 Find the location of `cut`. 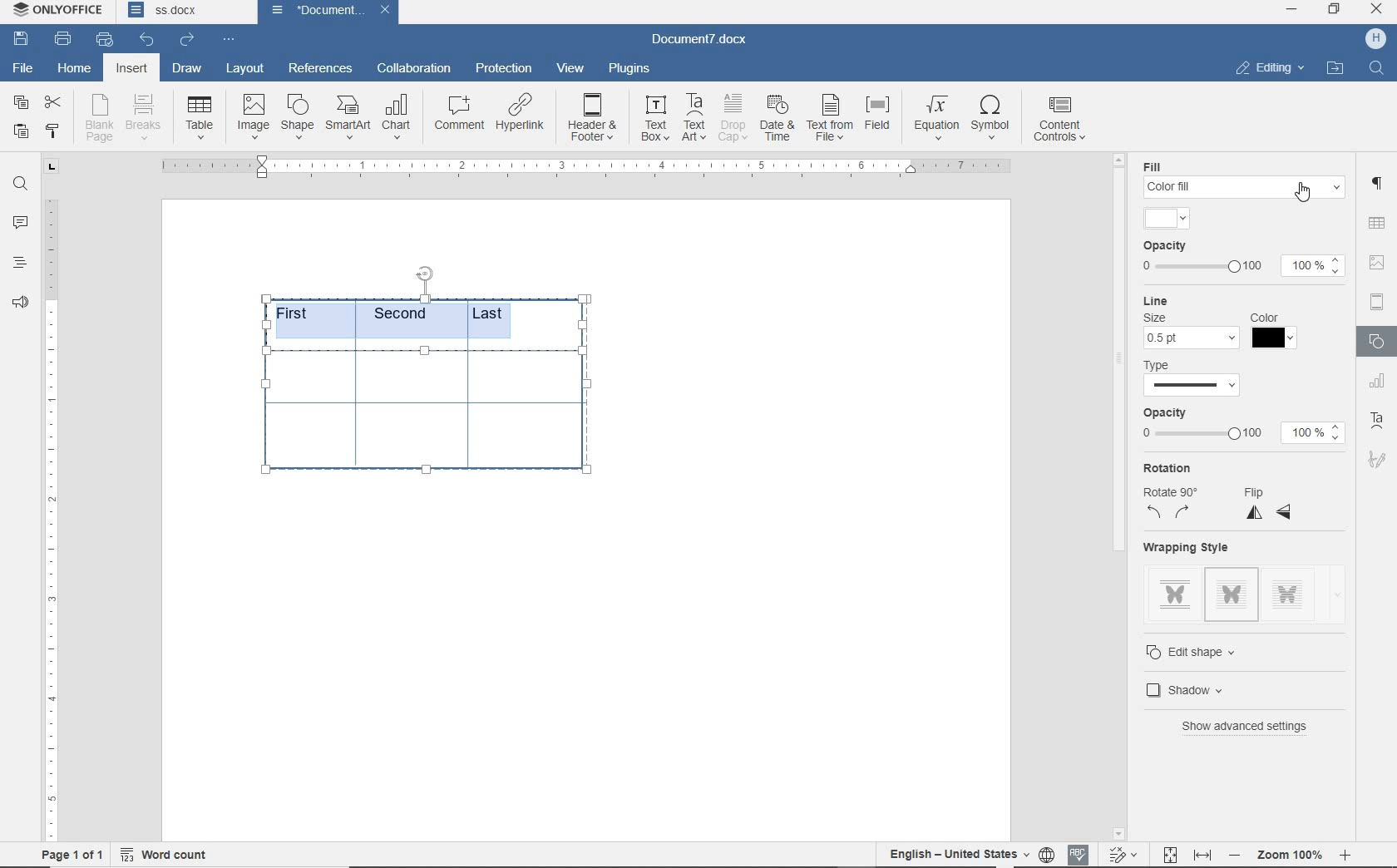

cut is located at coordinates (53, 104).